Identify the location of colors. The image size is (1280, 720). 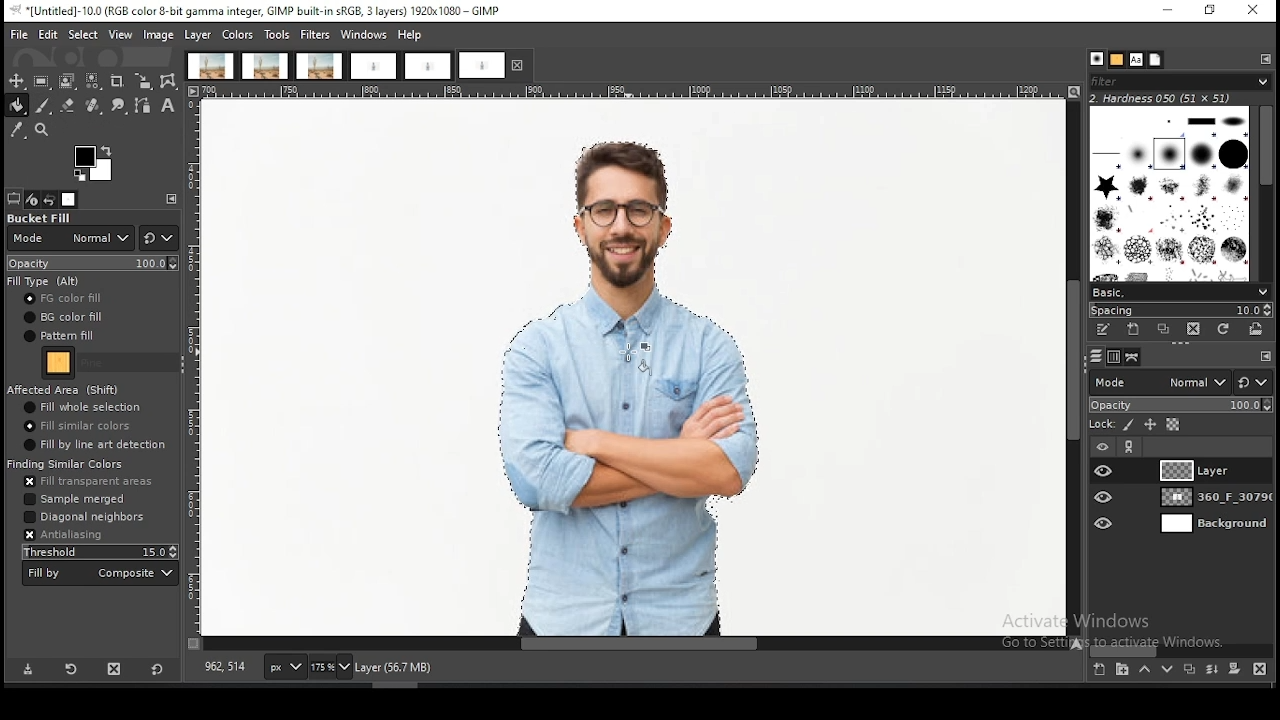
(95, 164).